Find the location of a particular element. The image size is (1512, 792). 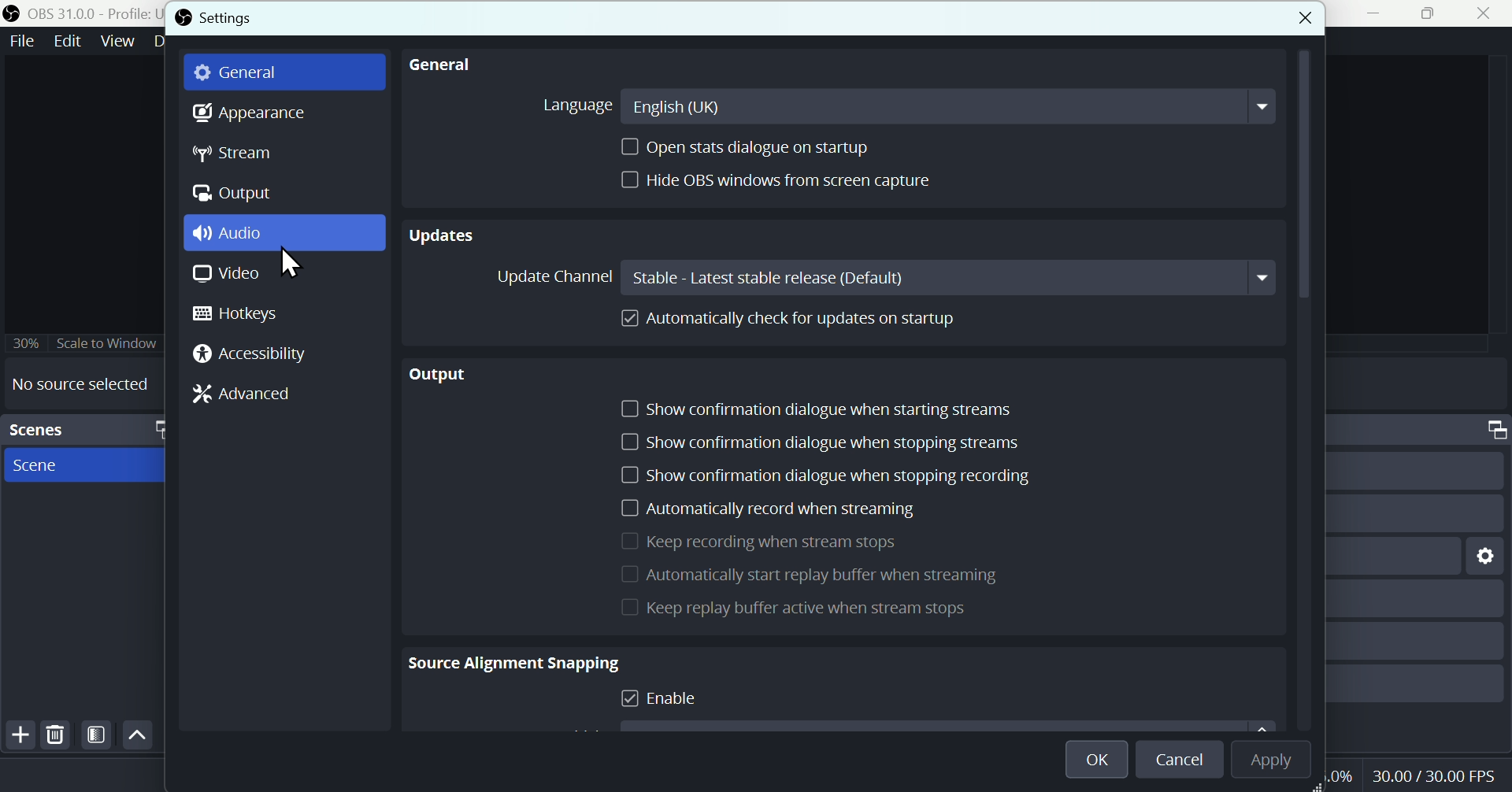

Filter is located at coordinates (97, 735).